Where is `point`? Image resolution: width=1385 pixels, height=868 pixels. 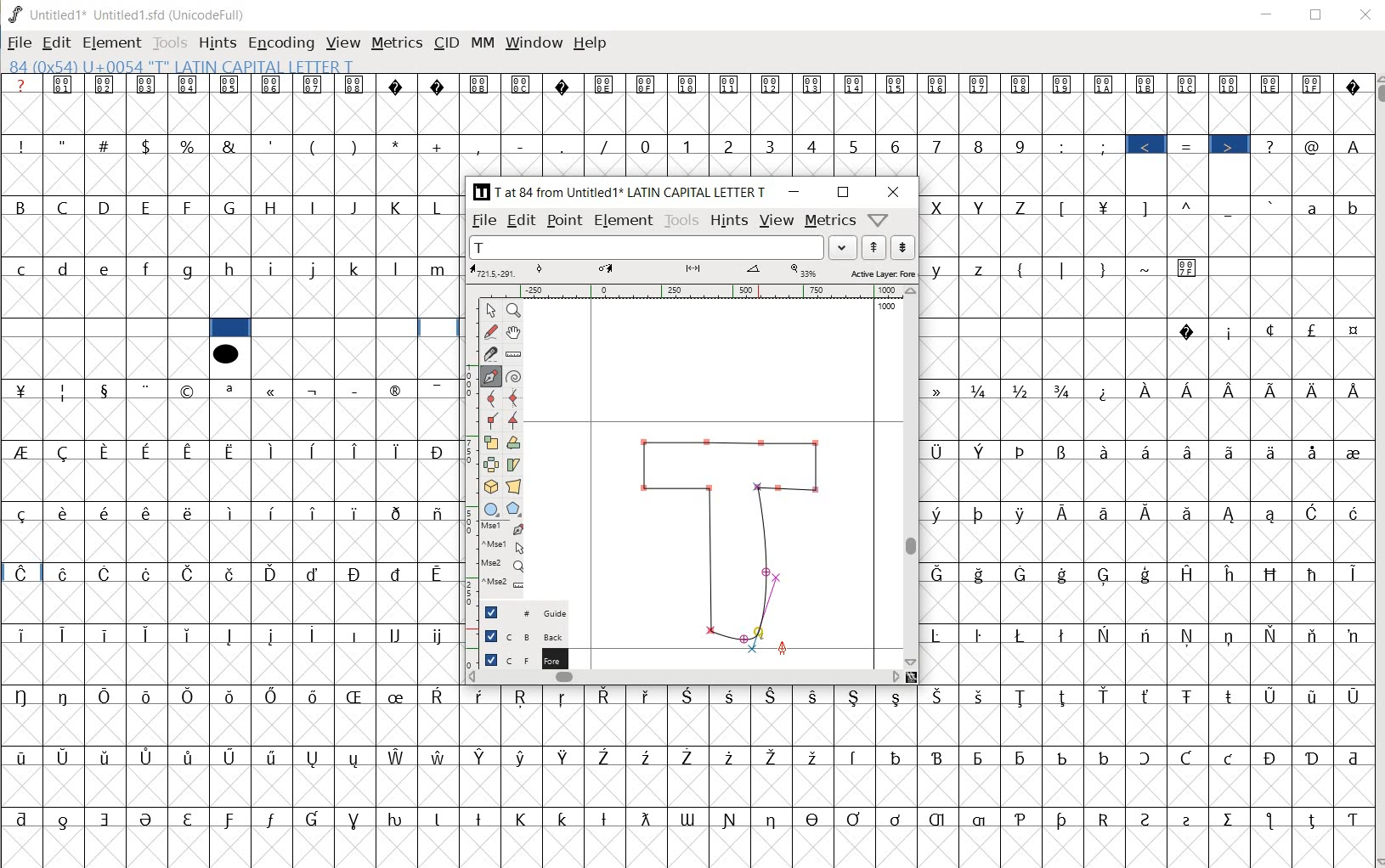
point is located at coordinates (489, 310).